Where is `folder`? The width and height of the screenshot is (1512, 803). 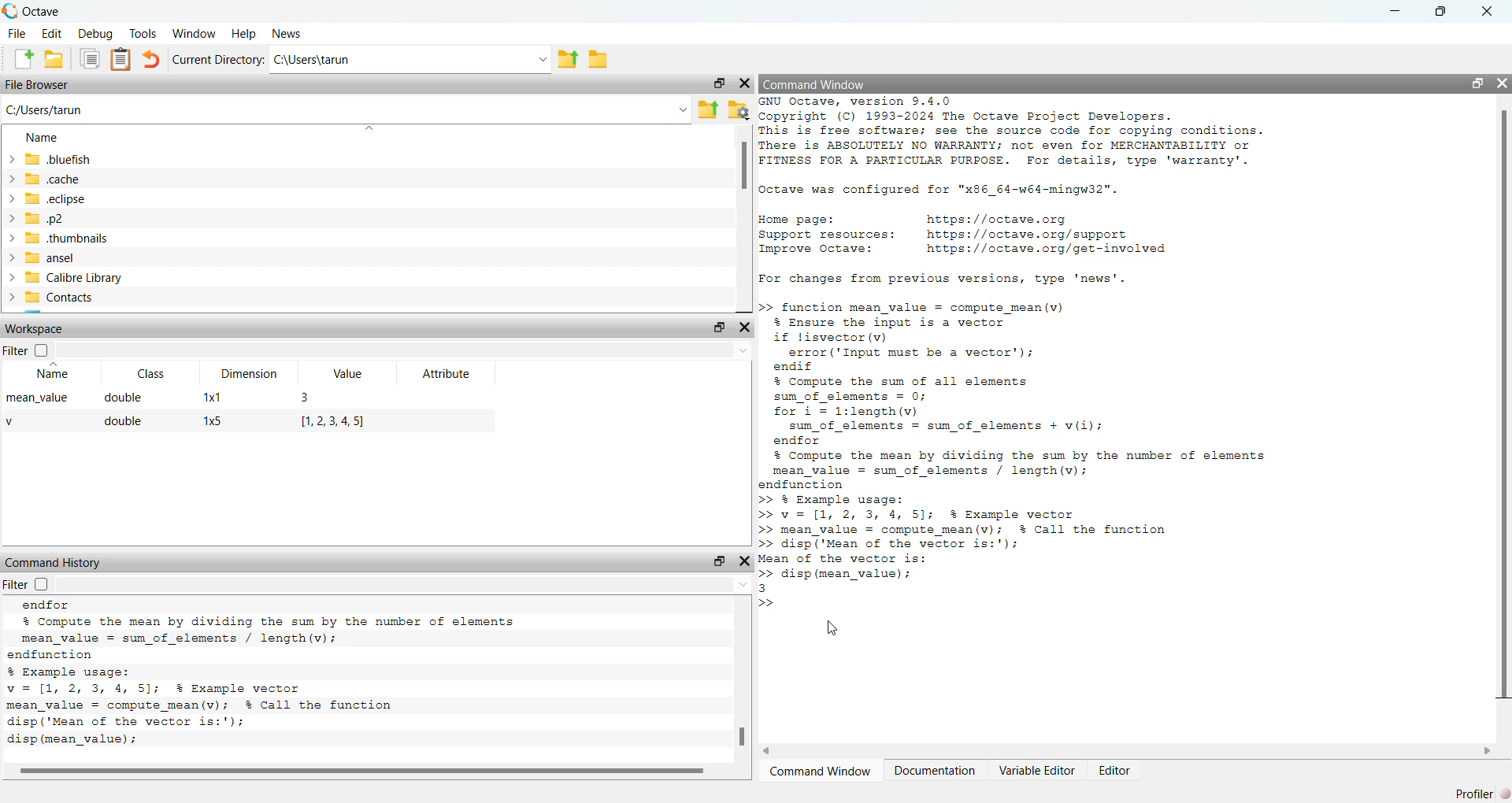 folder is located at coordinates (600, 60).